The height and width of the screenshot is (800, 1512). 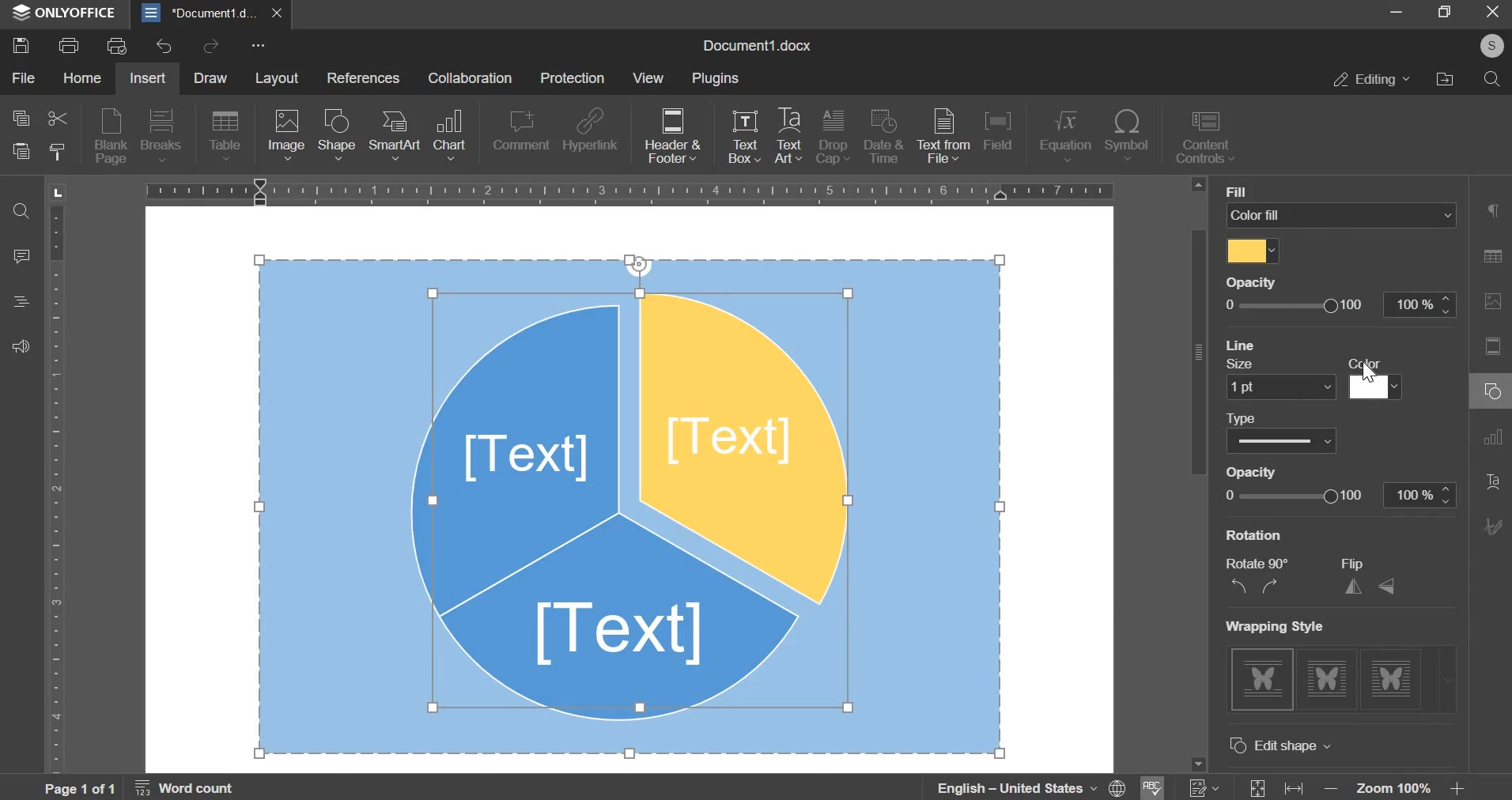 What do you see at coordinates (1445, 78) in the screenshot?
I see `file location` at bounding box center [1445, 78].